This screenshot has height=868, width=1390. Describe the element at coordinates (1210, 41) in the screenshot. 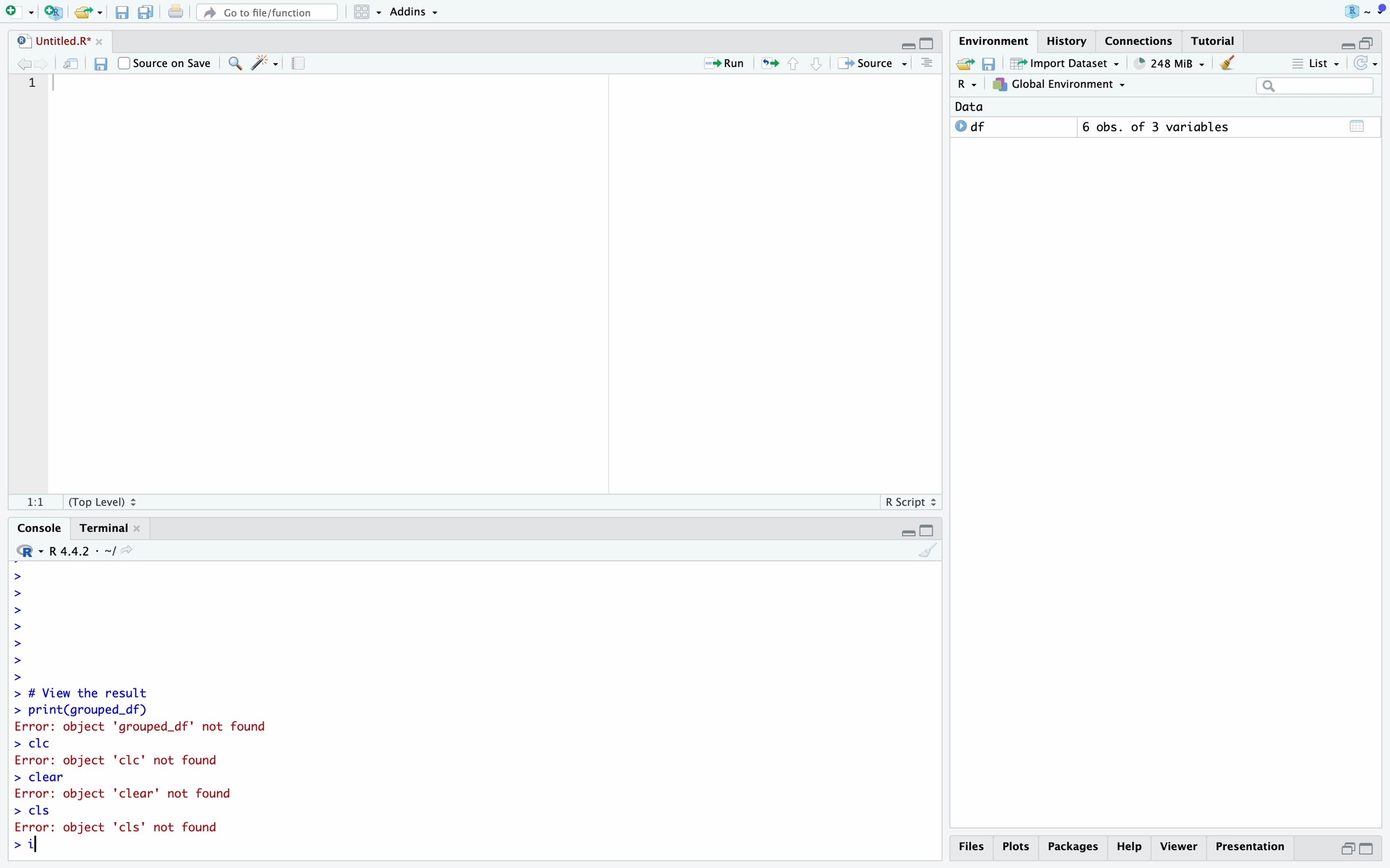

I see `Tutorial` at that location.